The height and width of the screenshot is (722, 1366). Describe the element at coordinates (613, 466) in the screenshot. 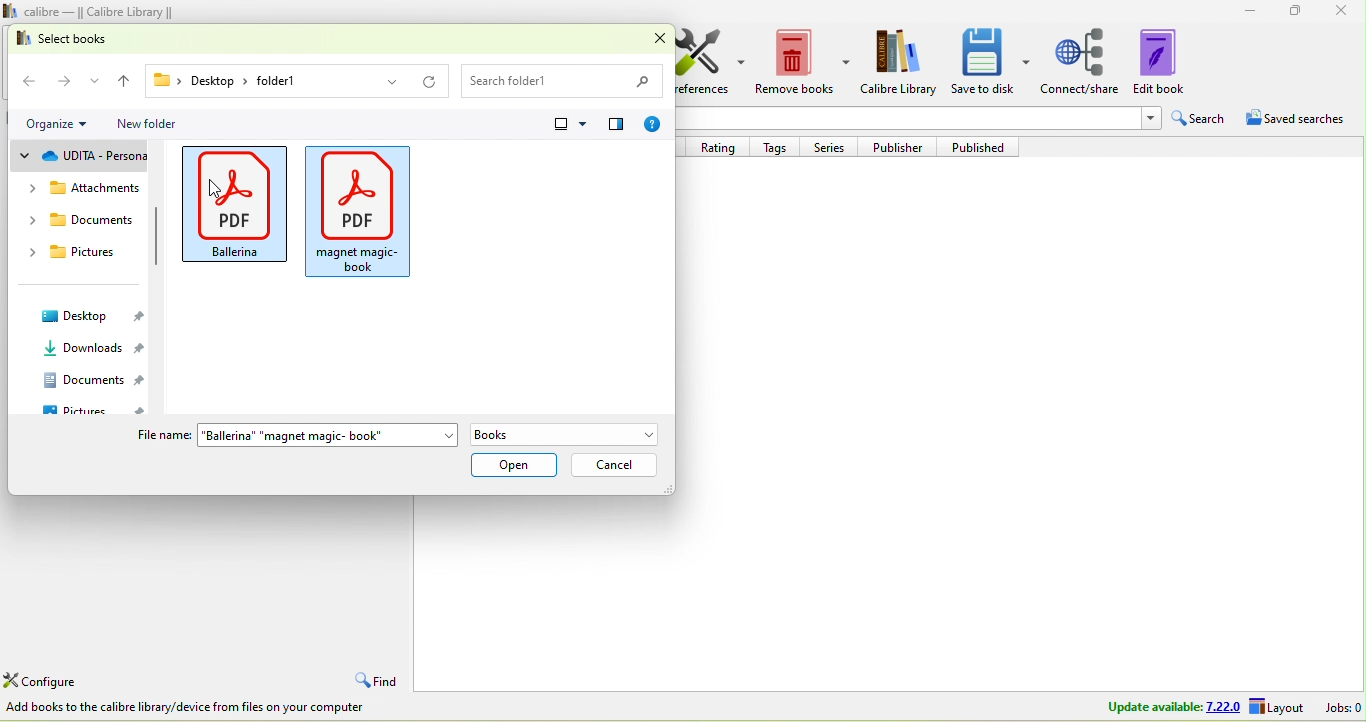

I see `cancel` at that location.